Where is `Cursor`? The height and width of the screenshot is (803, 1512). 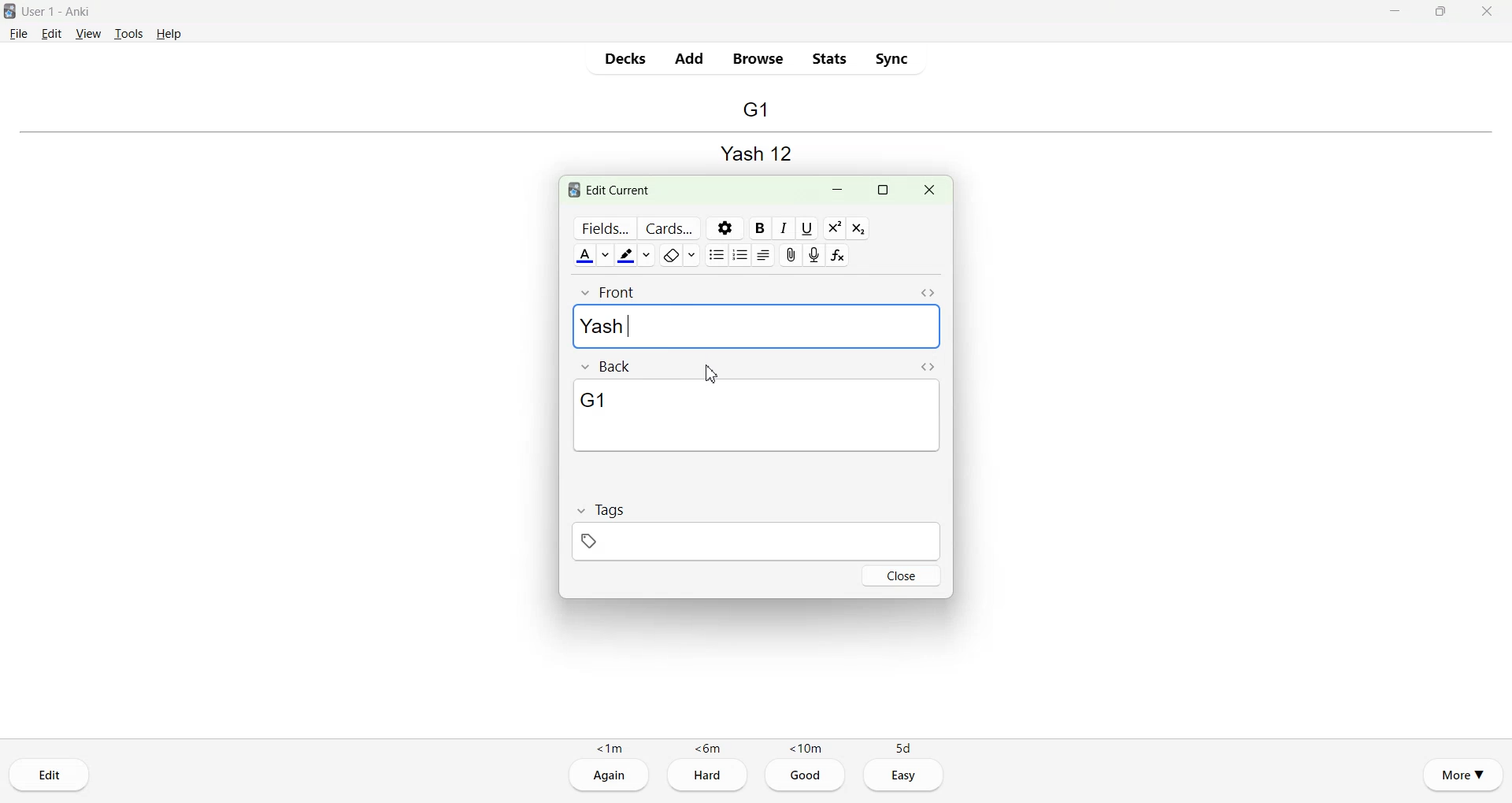 Cursor is located at coordinates (710, 375).